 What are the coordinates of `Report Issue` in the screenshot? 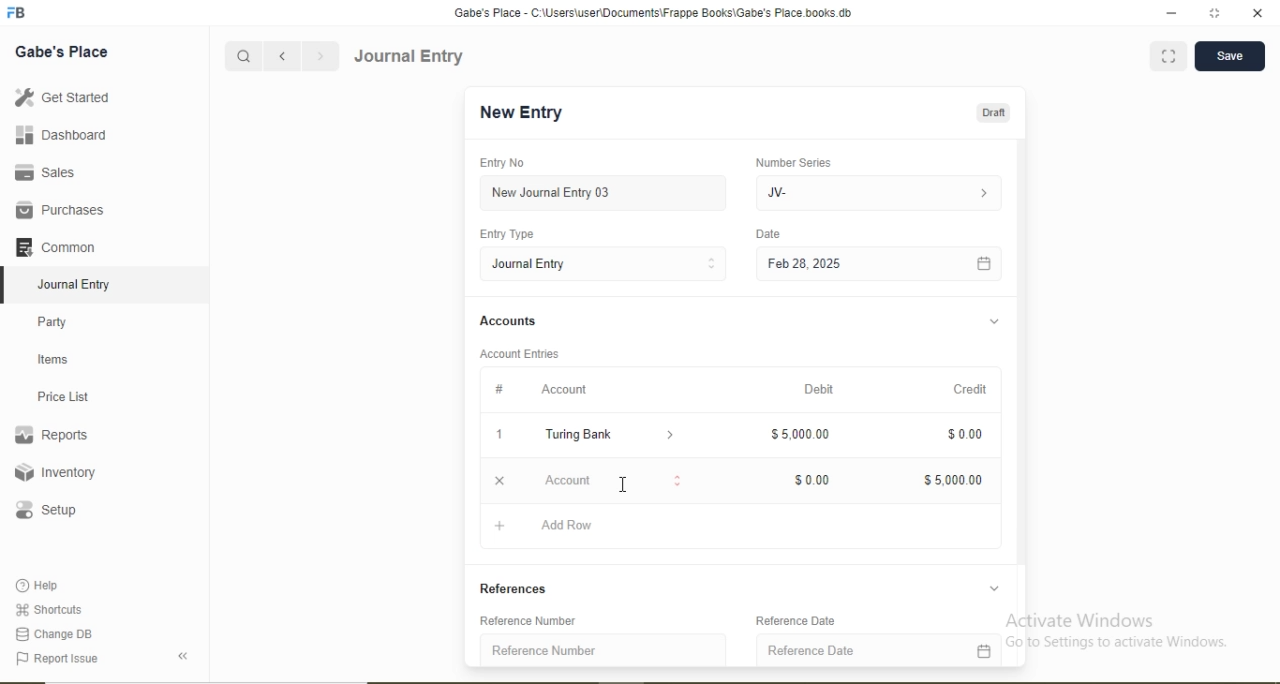 It's located at (56, 659).